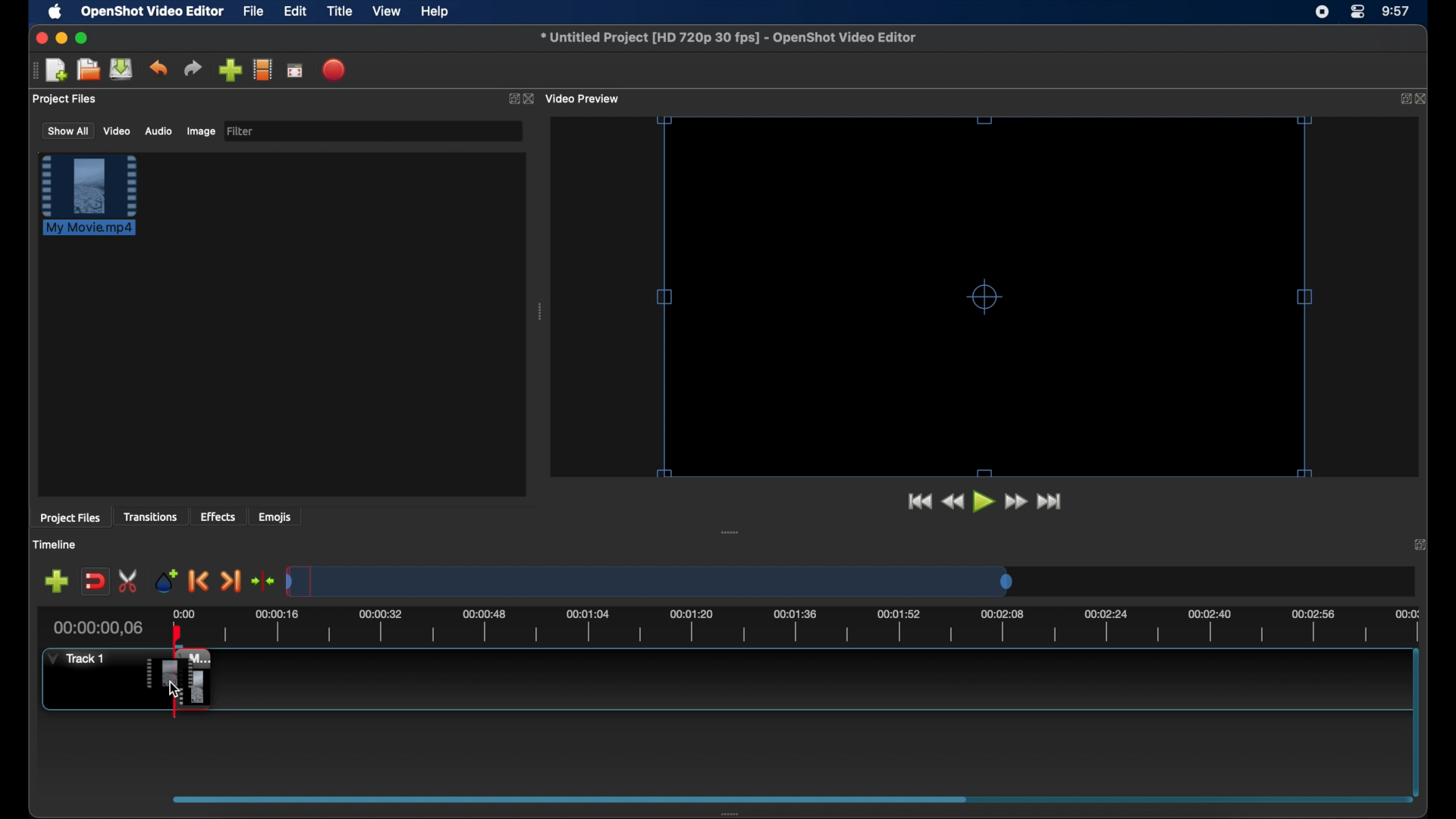 This screenshot has height=819, width=1456. What do you see at coordinates (80, 658) in the screenshot?
I see `track 1` at bounding box center [80, 658].